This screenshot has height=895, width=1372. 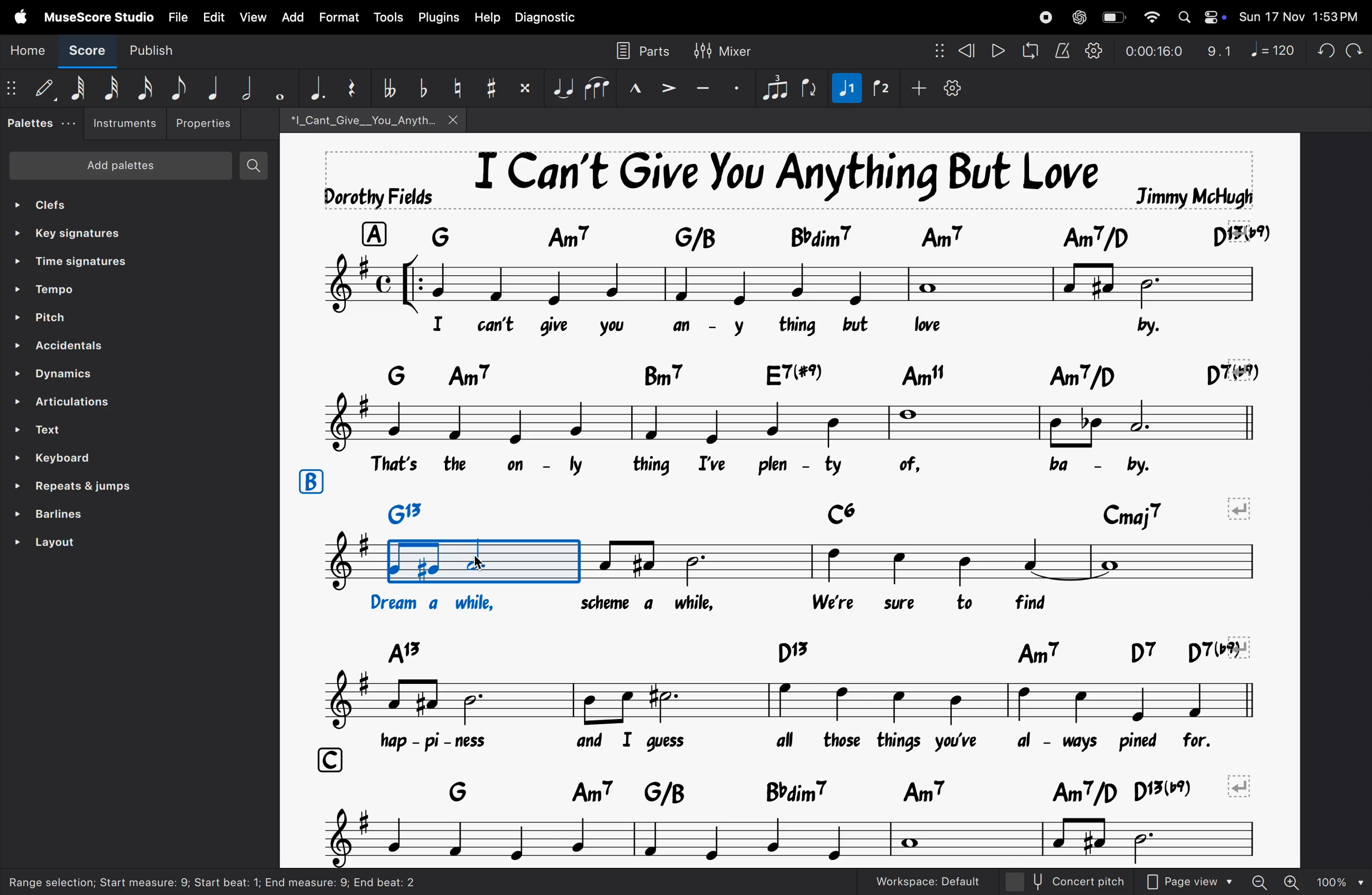 I want to click on view, so click(x=253, y=18).